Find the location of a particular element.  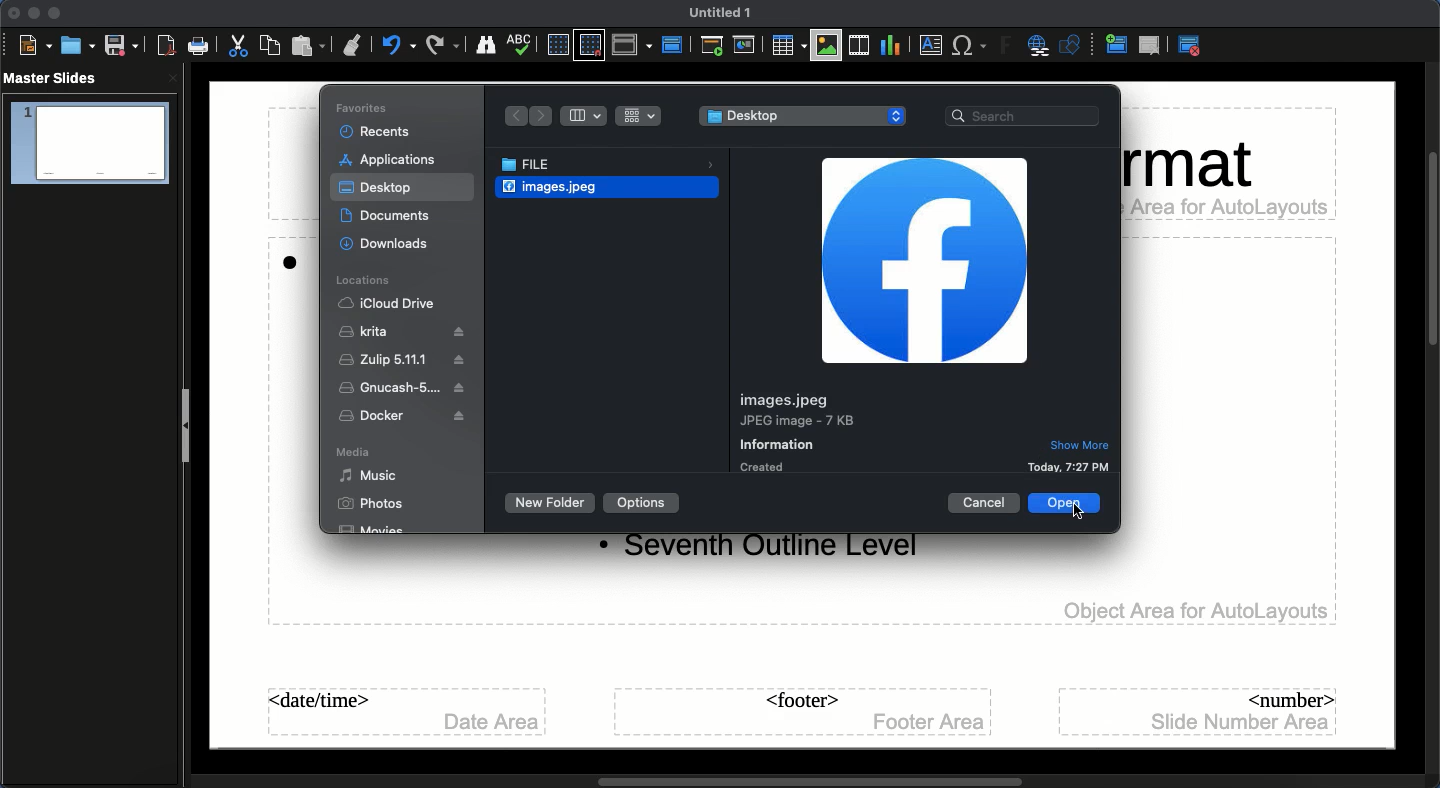

Slide panel is located at coordinates (186, 427).